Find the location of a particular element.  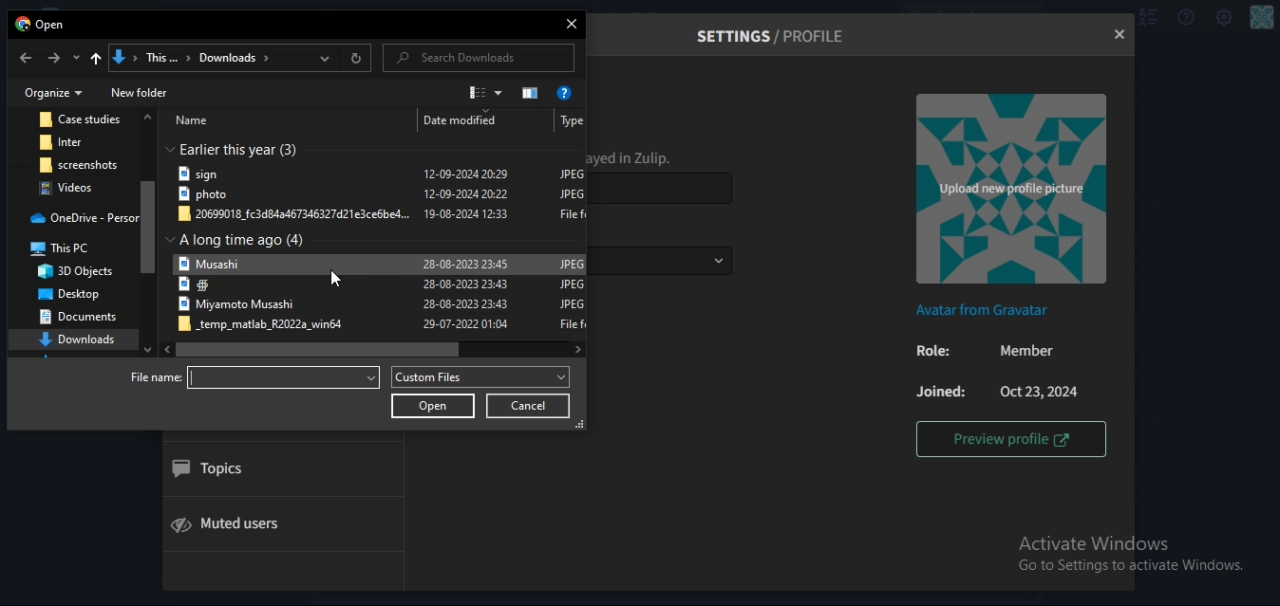

close is located at coordinates (1118, 35).